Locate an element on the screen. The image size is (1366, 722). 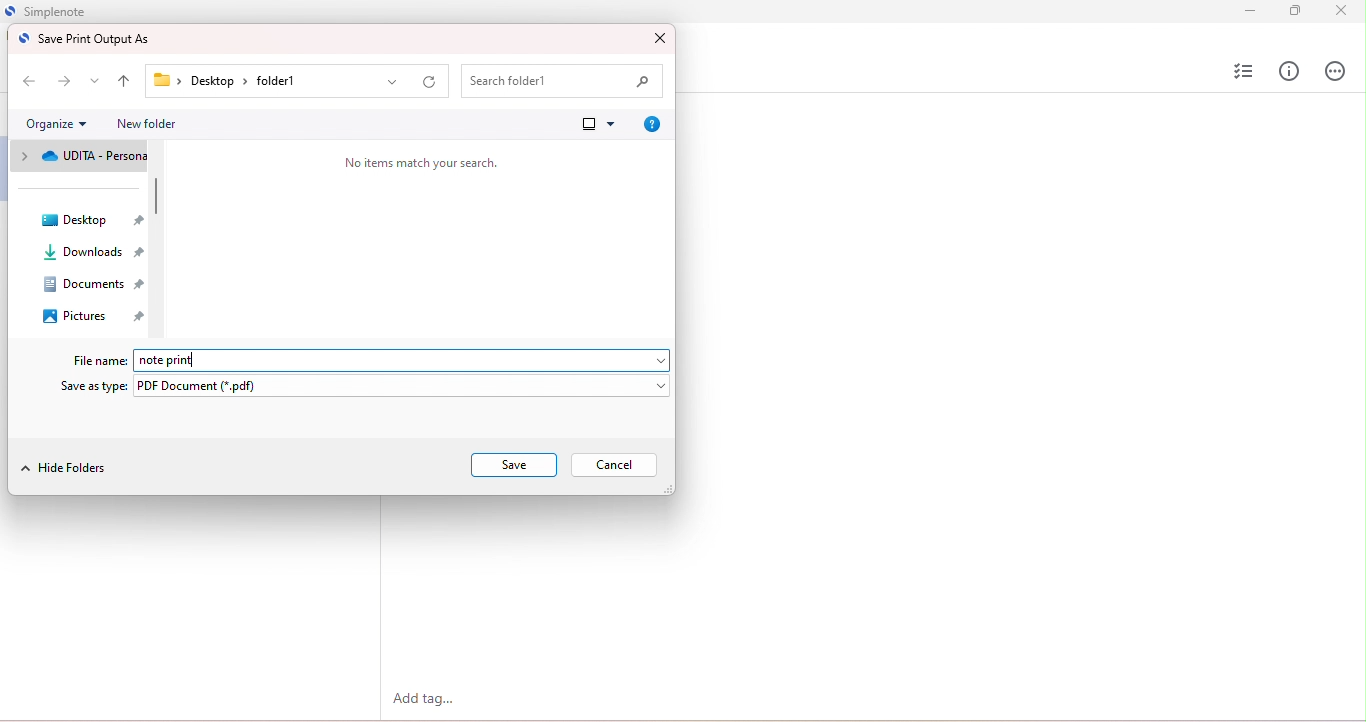
drop down is located at coordinates (394, 83).